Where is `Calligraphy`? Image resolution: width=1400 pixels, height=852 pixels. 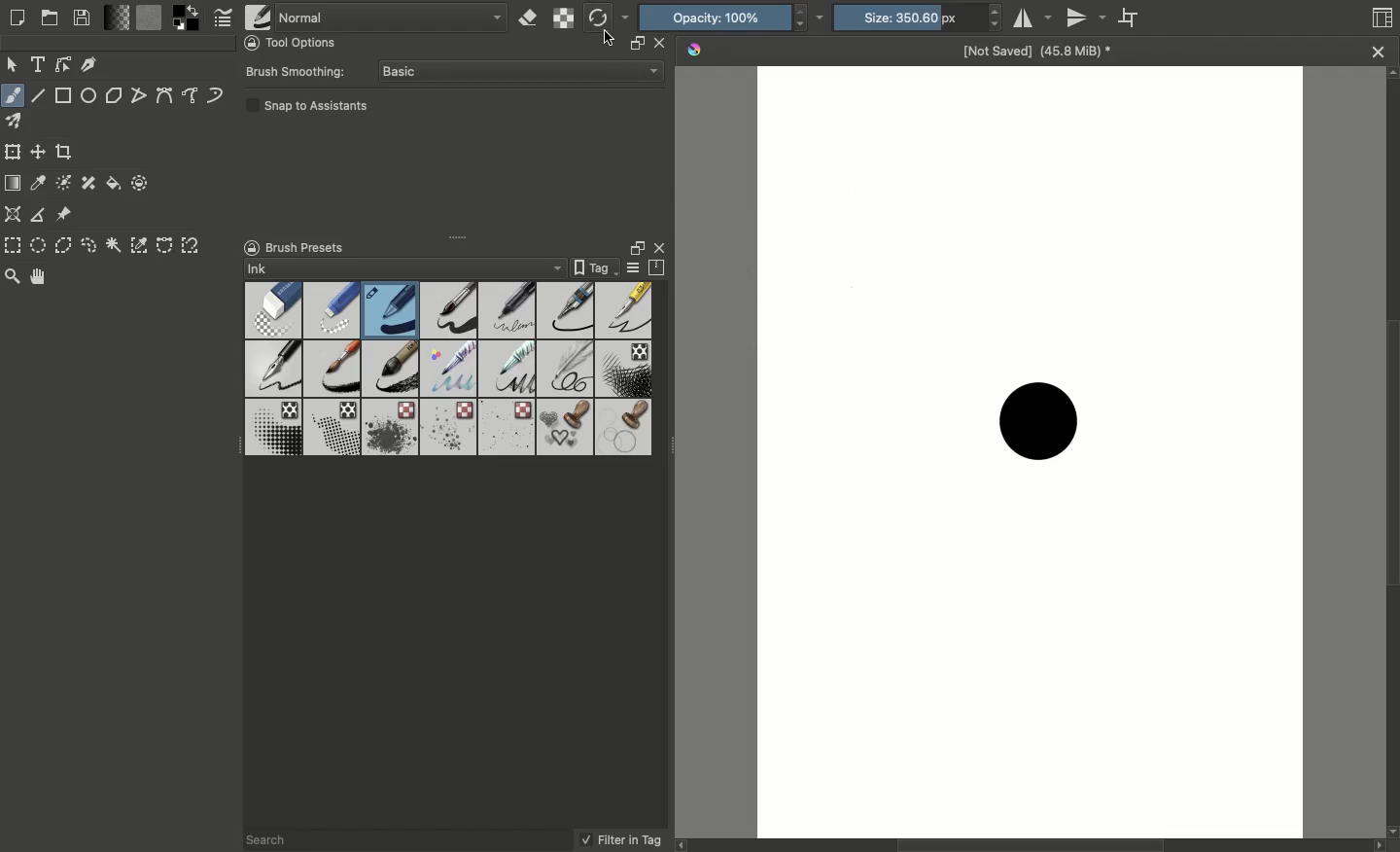
Calligraphy is located at coordinates (90, 64).